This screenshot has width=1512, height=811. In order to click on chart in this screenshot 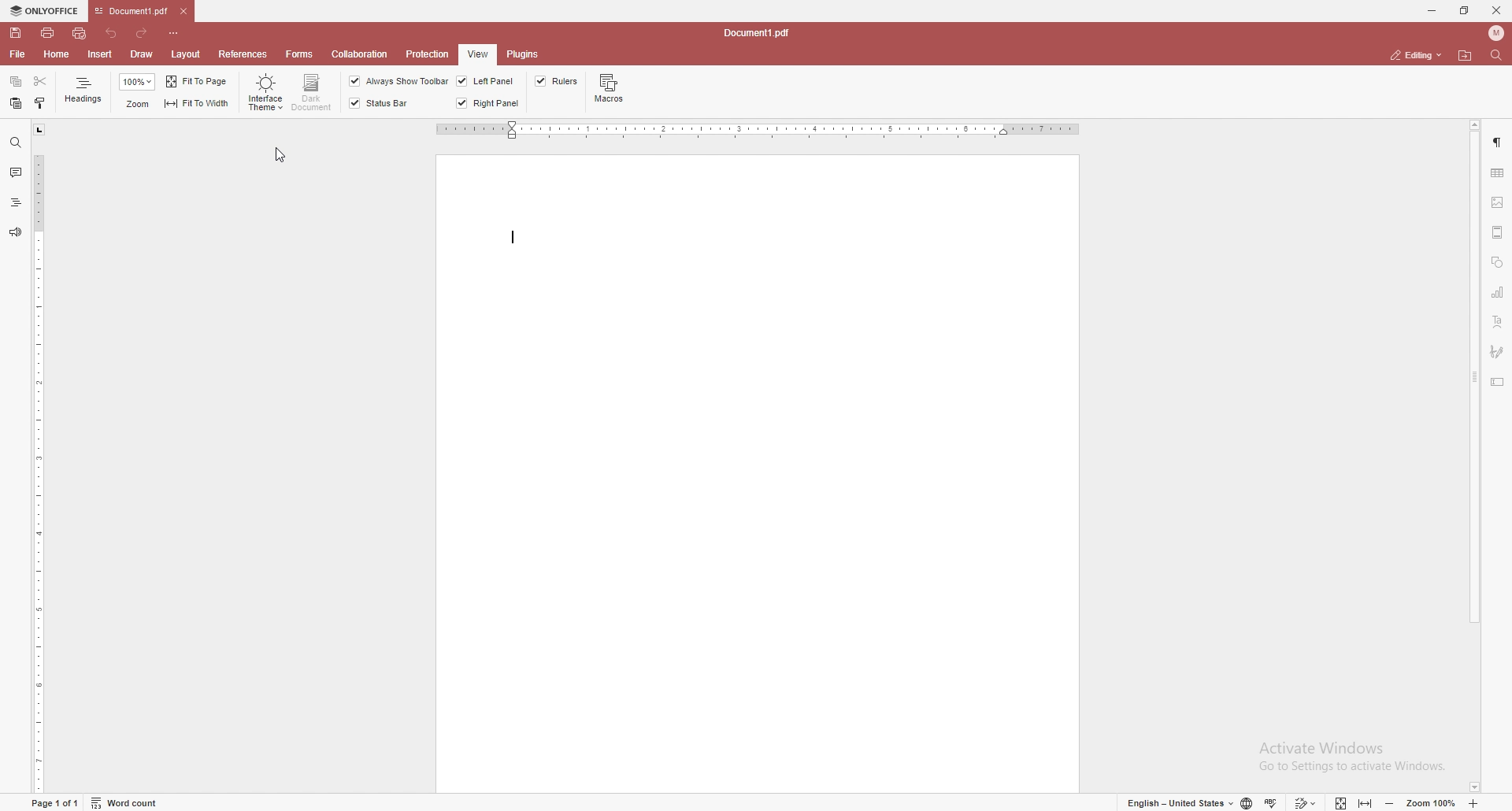, I will do `click(1499, 294)`.